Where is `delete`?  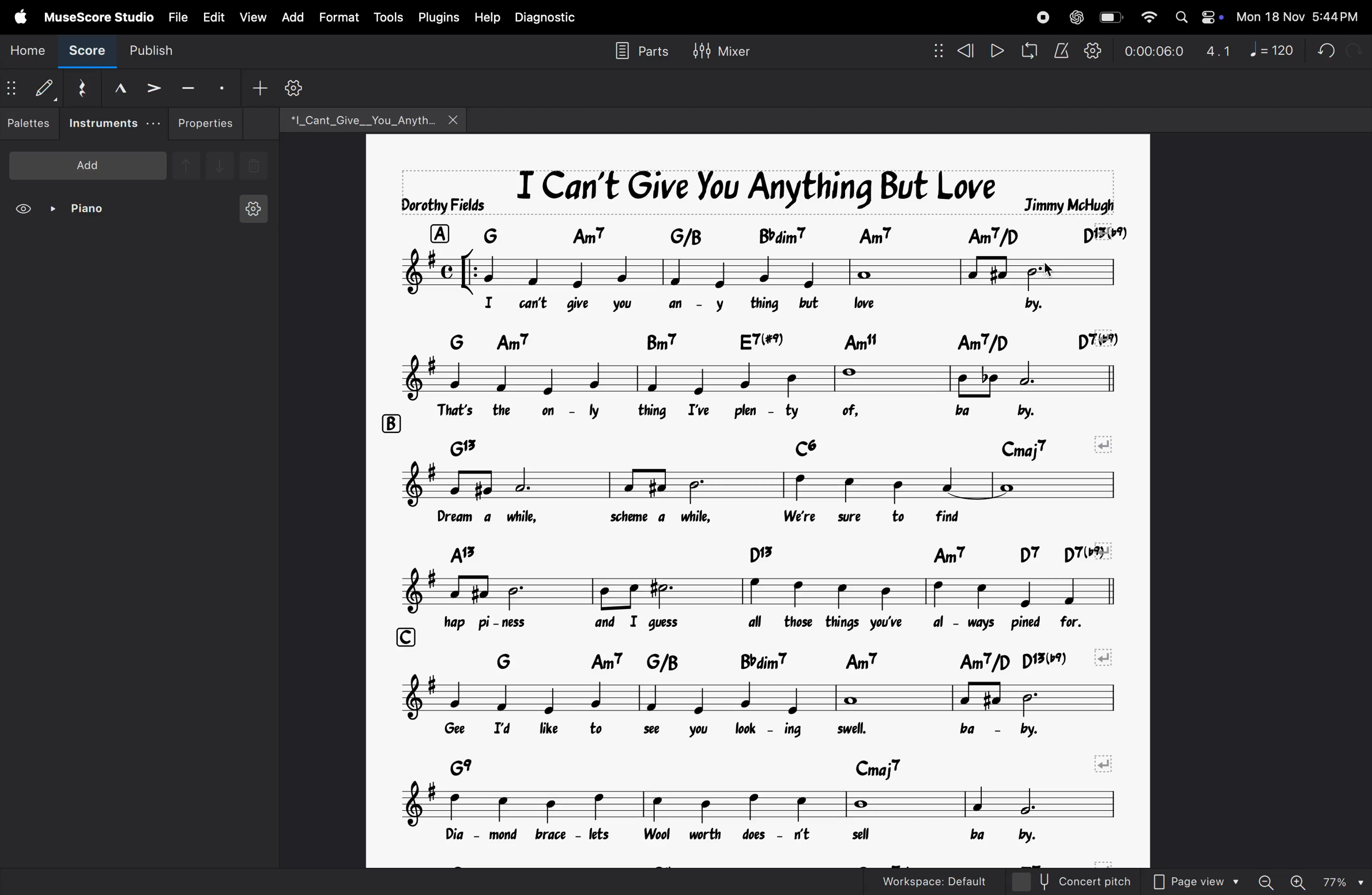 delete is located at coordinates (253, 167).